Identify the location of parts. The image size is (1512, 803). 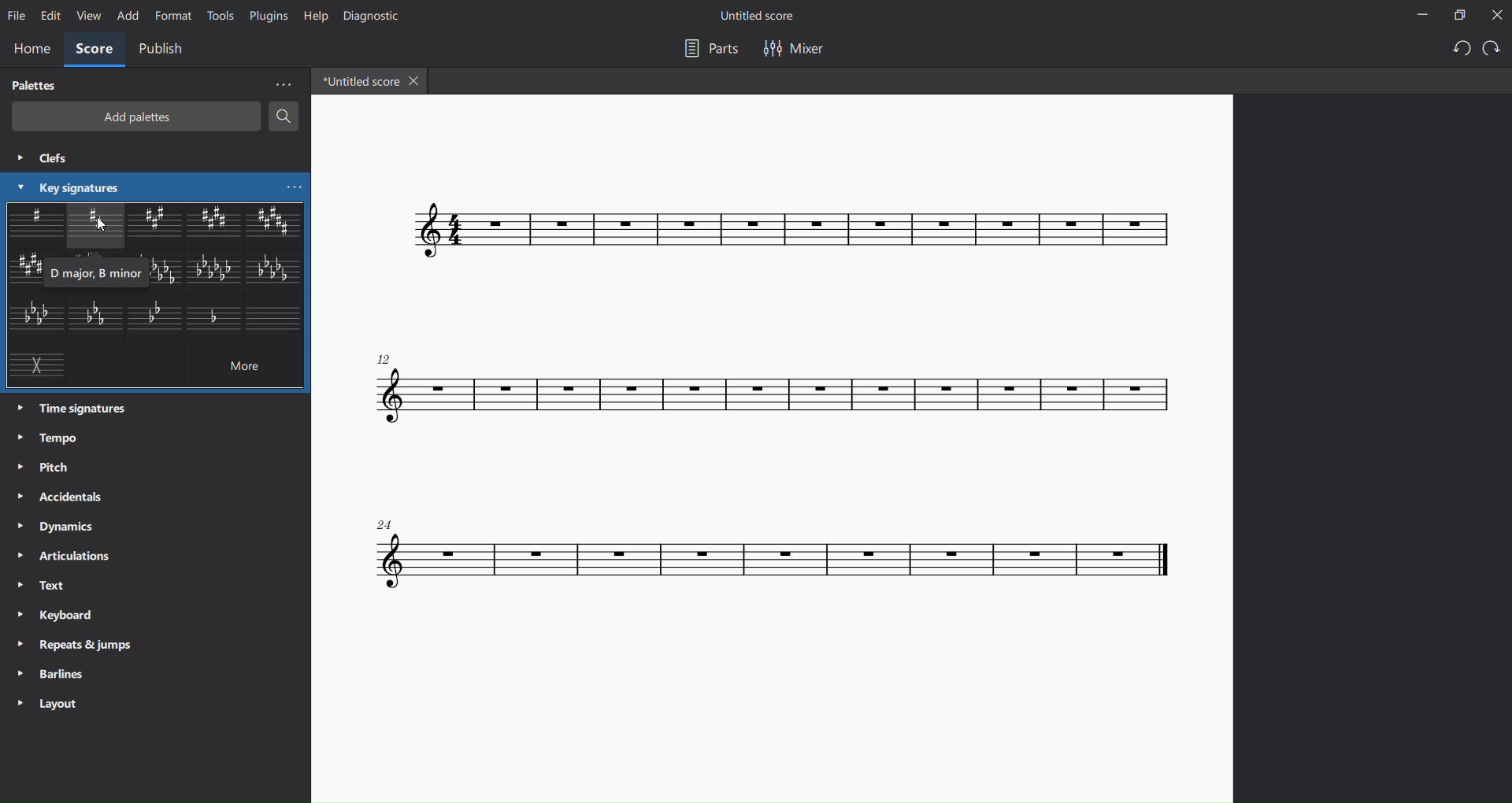
(707, 47).